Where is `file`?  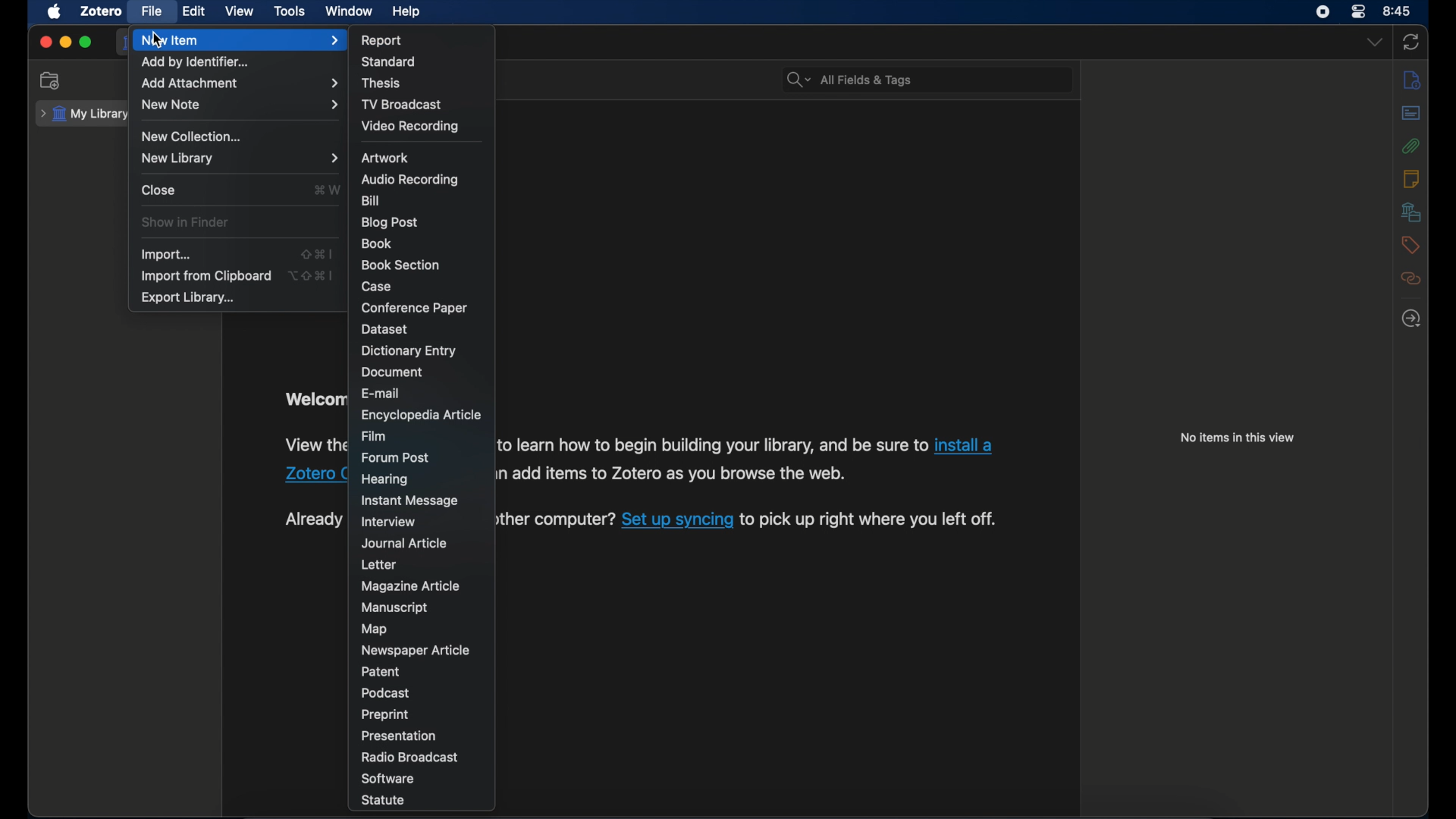 file is located at coordinates (151, 11).